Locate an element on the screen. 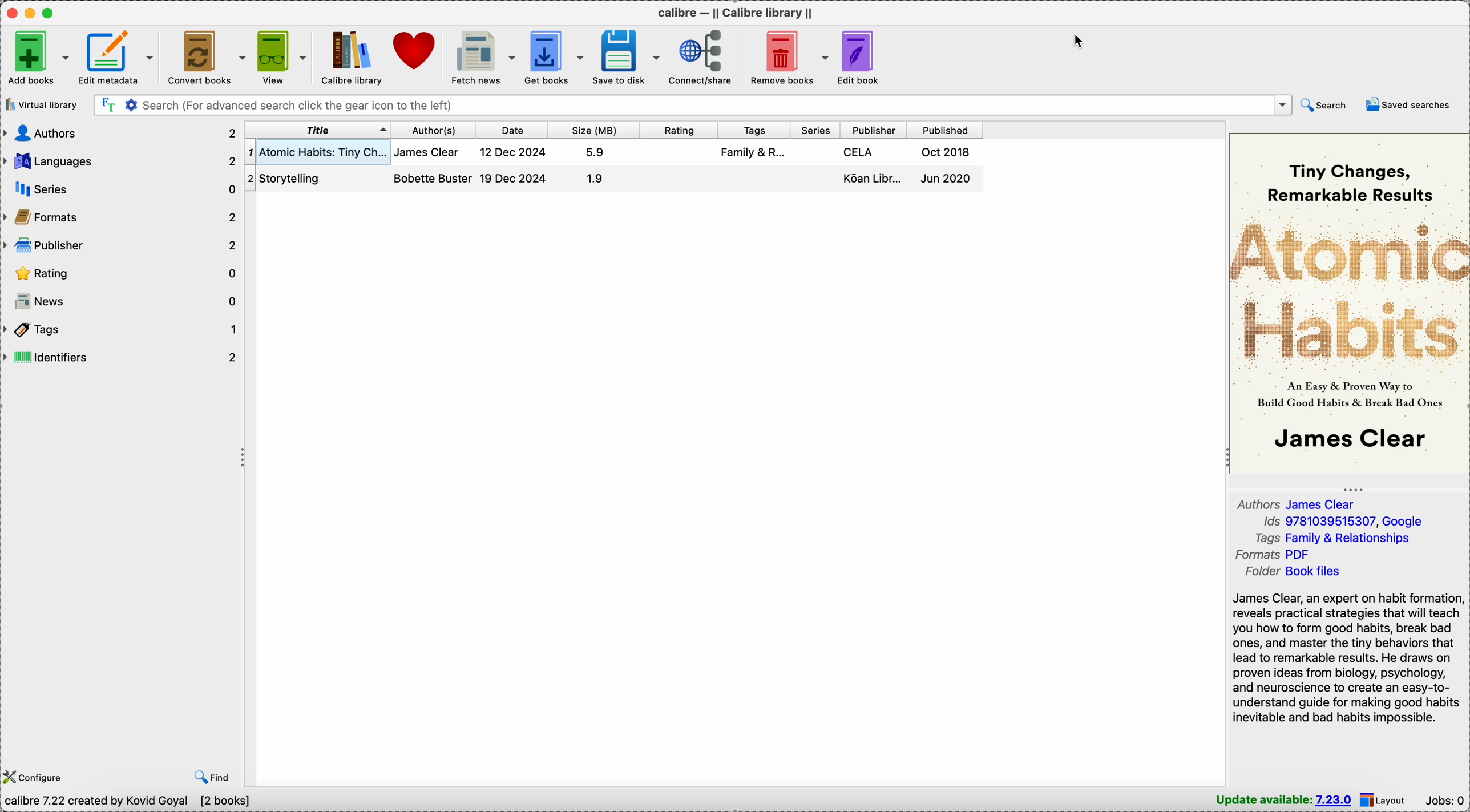 This screenshot has height=812, width=1470. calibre-|| calibre || is located at coordinates (738, 13).